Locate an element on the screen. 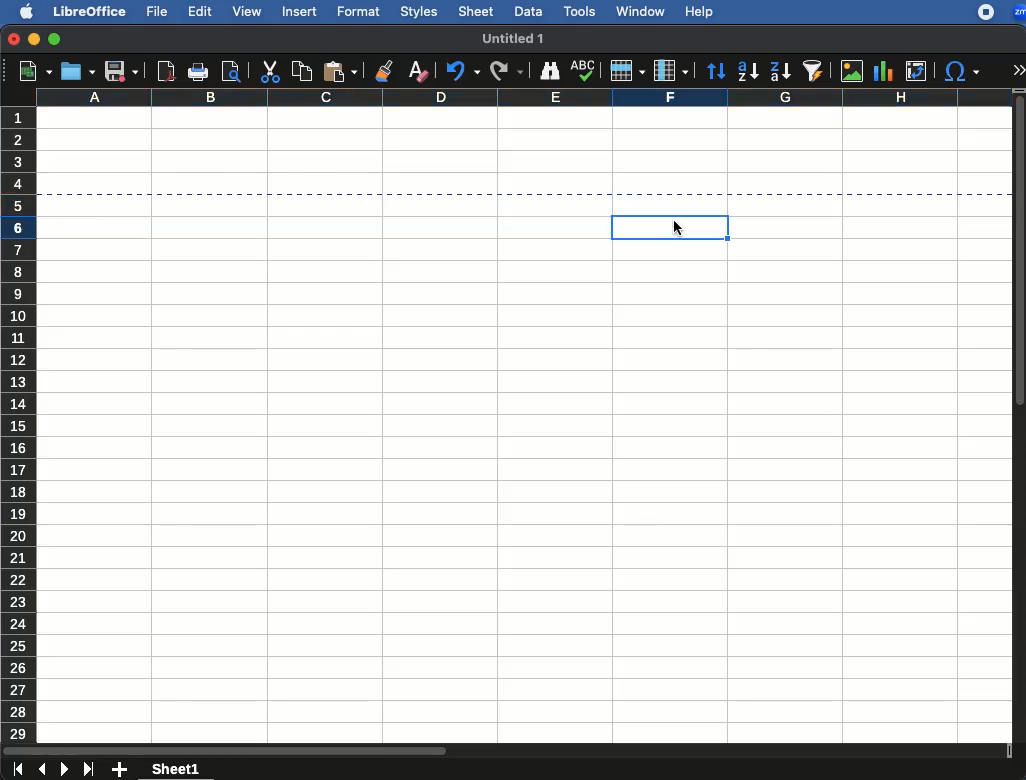 This screenshot has height=780, width=1026. apple is located at coordinates (24, 11).